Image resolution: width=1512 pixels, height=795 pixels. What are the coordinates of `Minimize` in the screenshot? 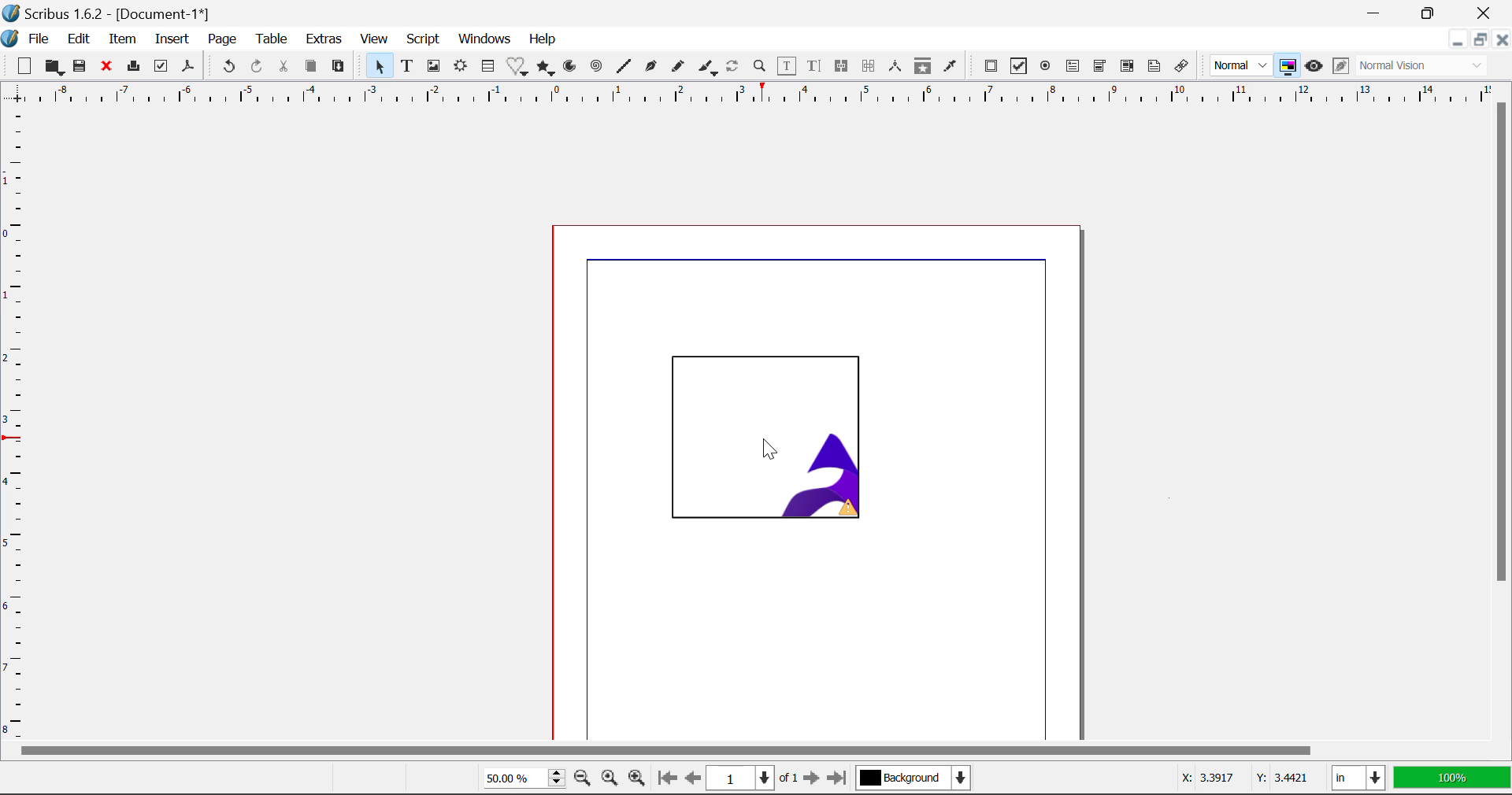 It's located at (1482, 39).